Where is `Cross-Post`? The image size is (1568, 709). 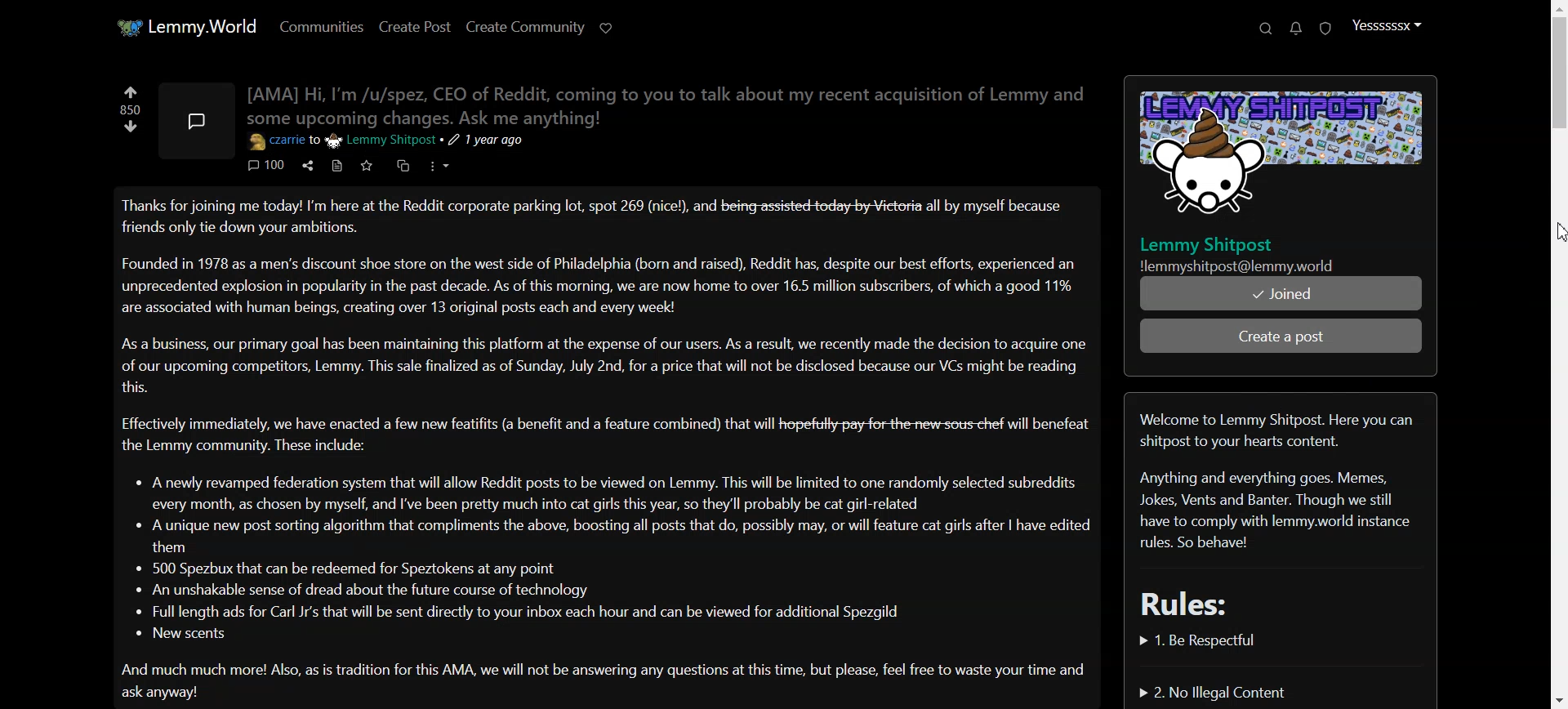
Cross-Post is located at coordinates (403, 165).